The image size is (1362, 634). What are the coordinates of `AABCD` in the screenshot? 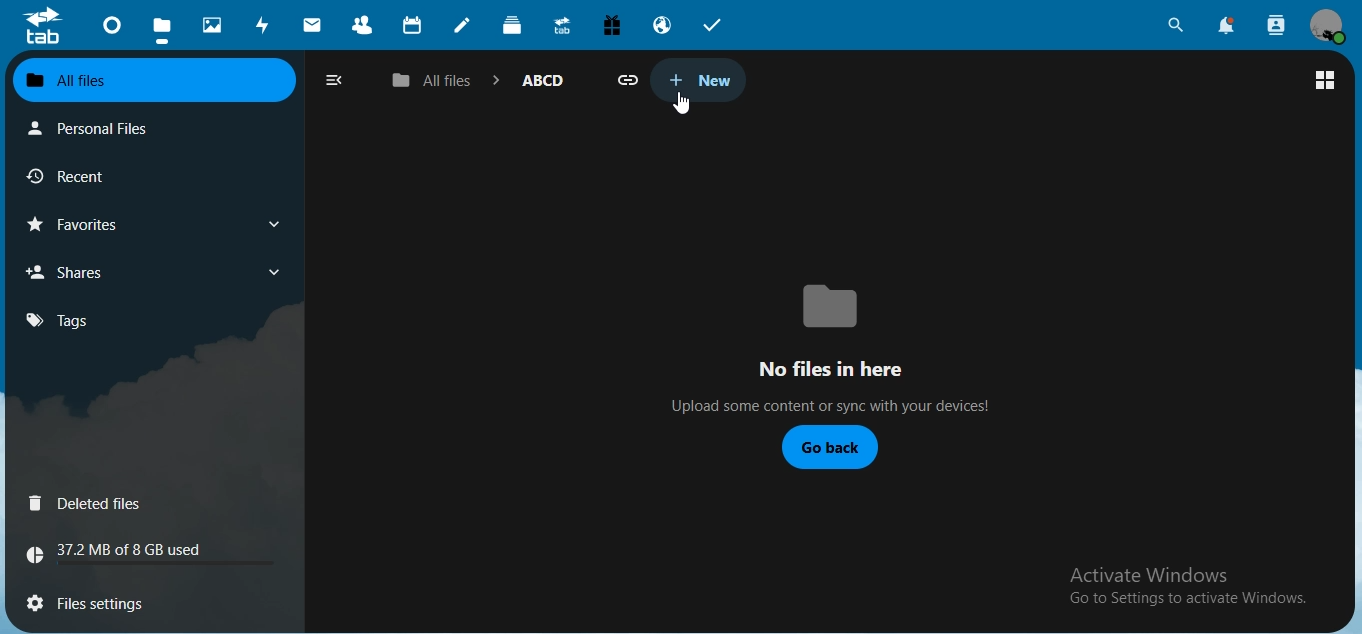 It's located at (543, 79).